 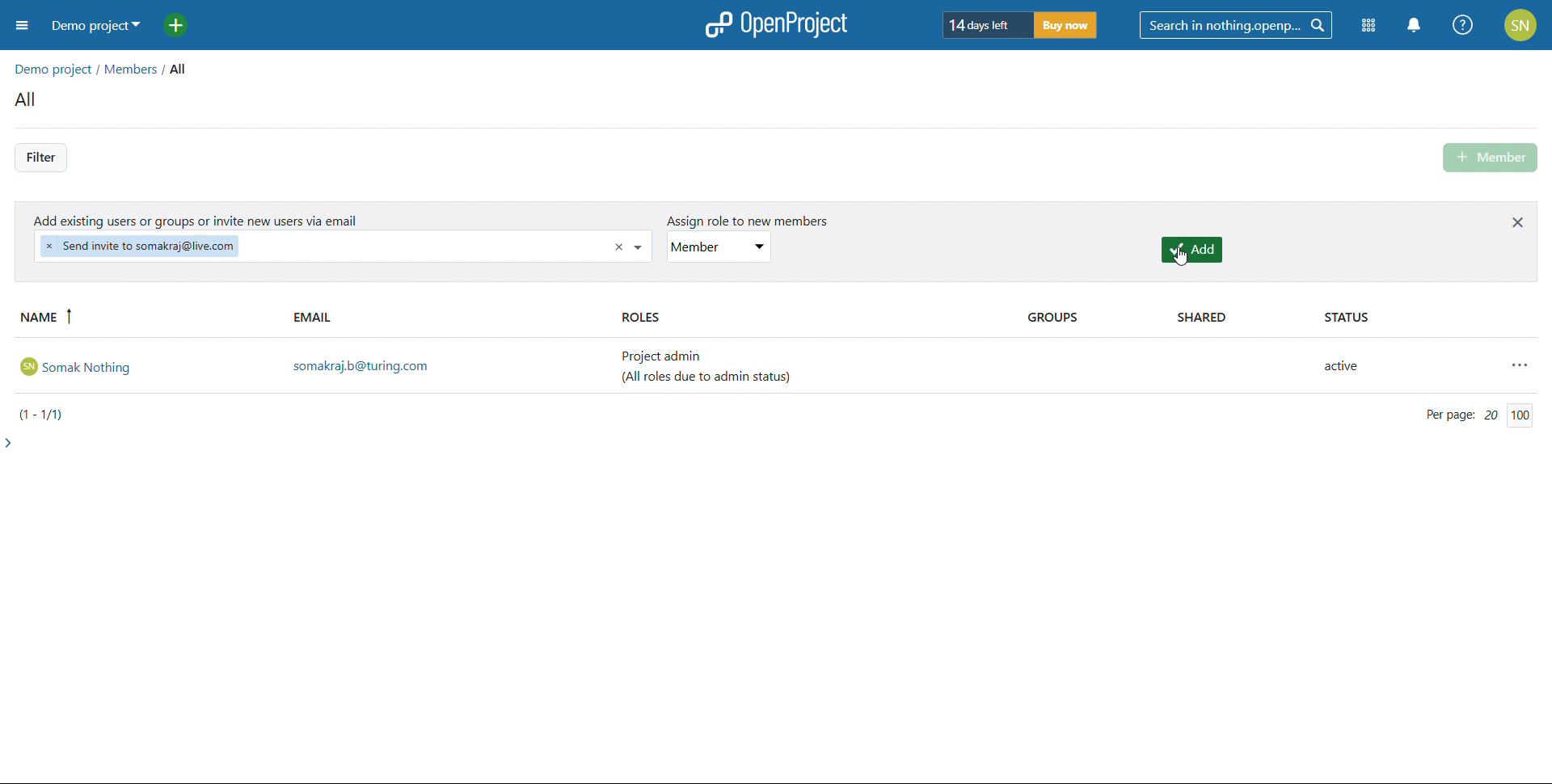 What do you see at coordinates (1477, 415) in the screenshot?
I see `per page 20/200` at bounding box center [1477, 415].